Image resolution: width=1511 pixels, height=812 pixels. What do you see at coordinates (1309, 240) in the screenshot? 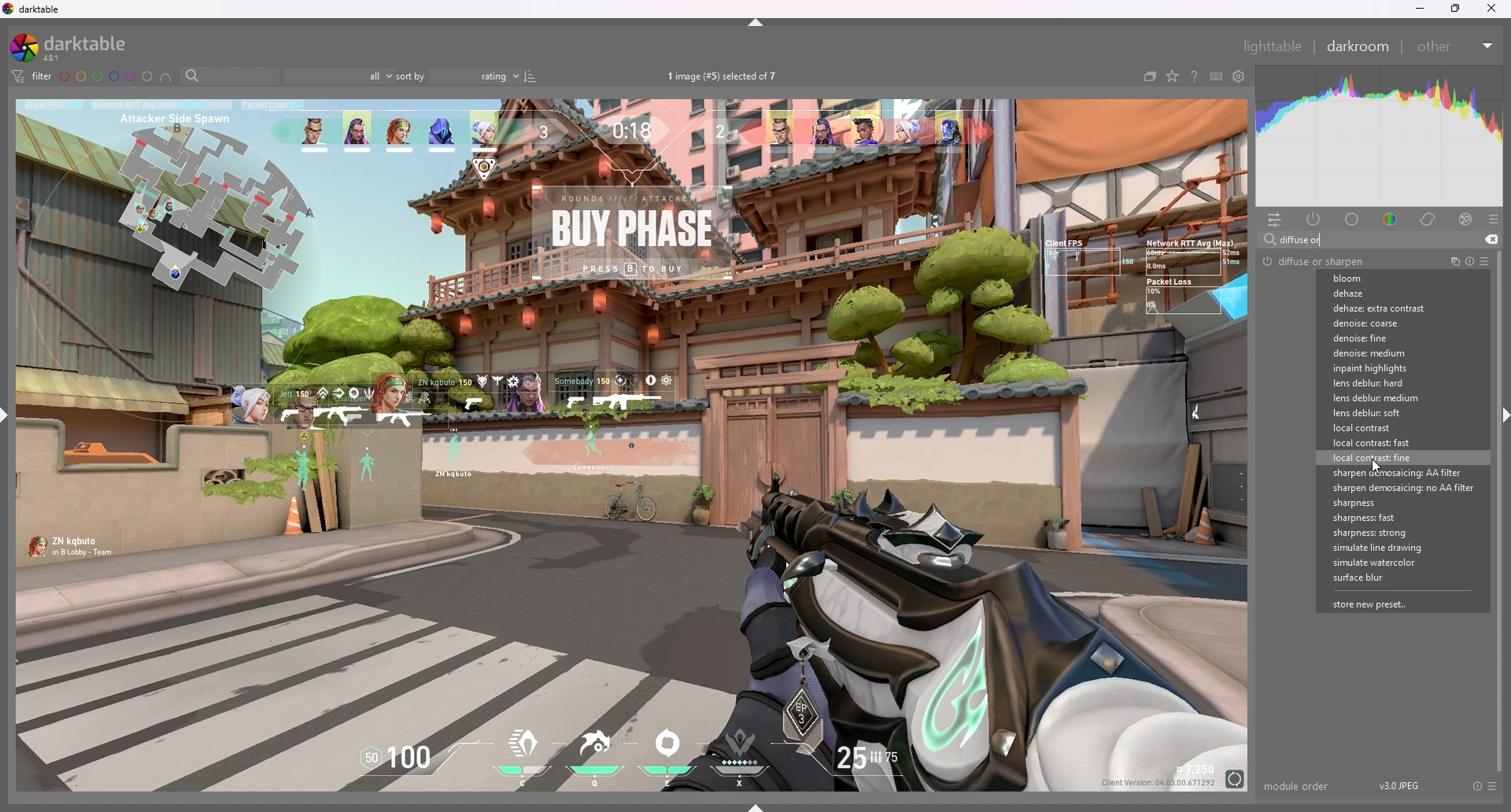
I see `input` at bounding box center [1309, 240].